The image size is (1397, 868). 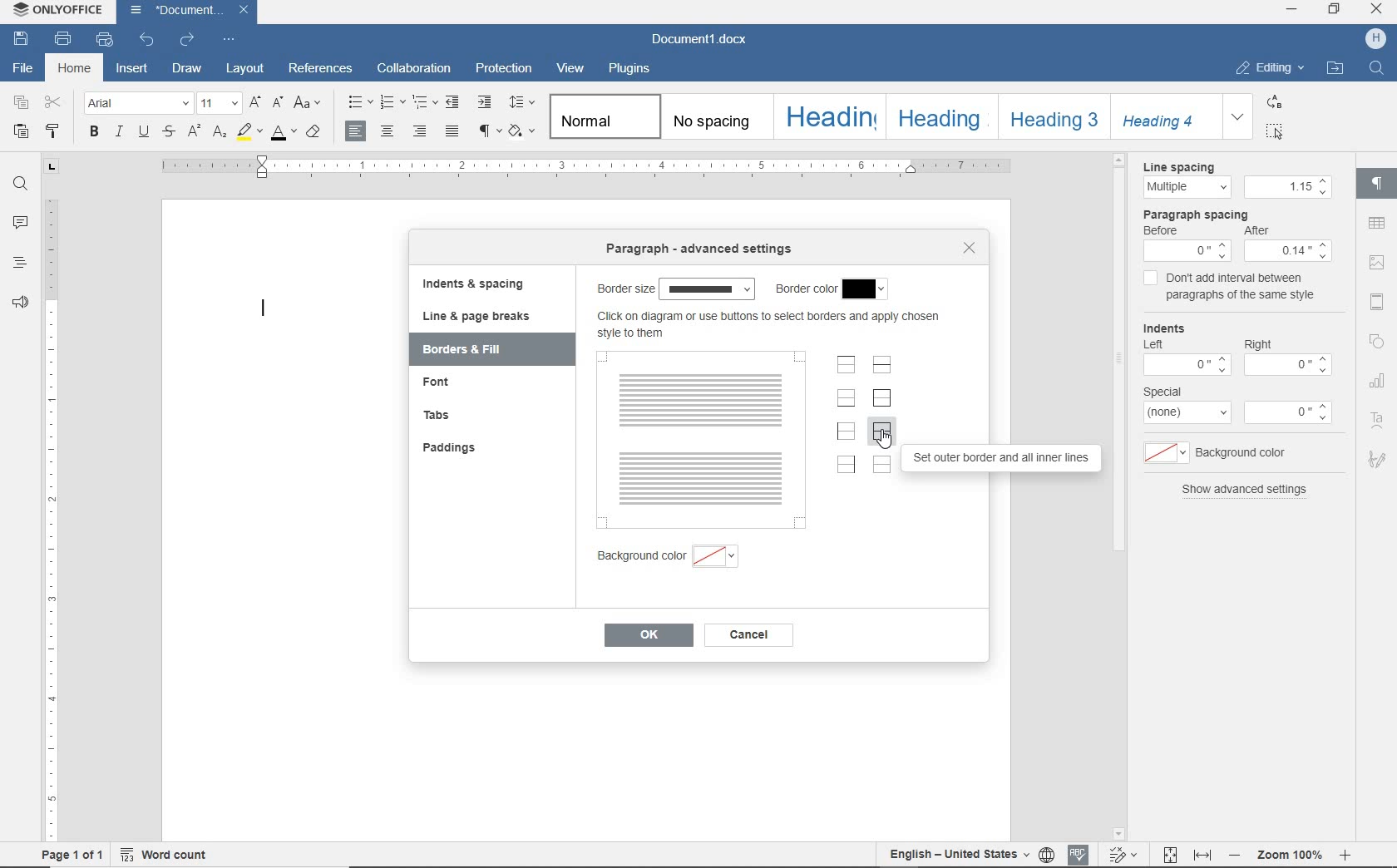 I want to click on decrease indent, so click(x=455, y=101).